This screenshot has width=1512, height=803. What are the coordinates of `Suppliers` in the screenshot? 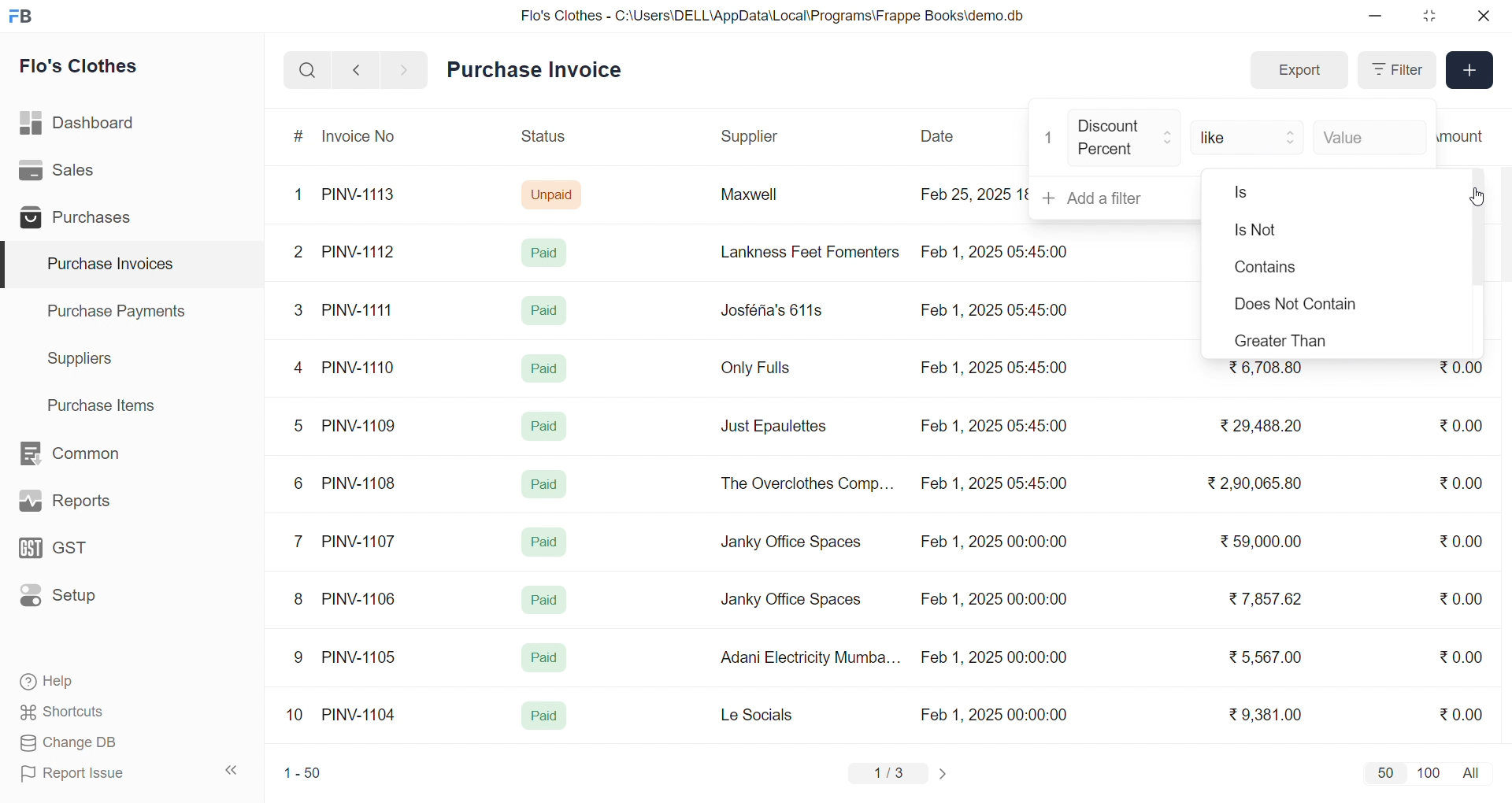 It's located at (83, 358).